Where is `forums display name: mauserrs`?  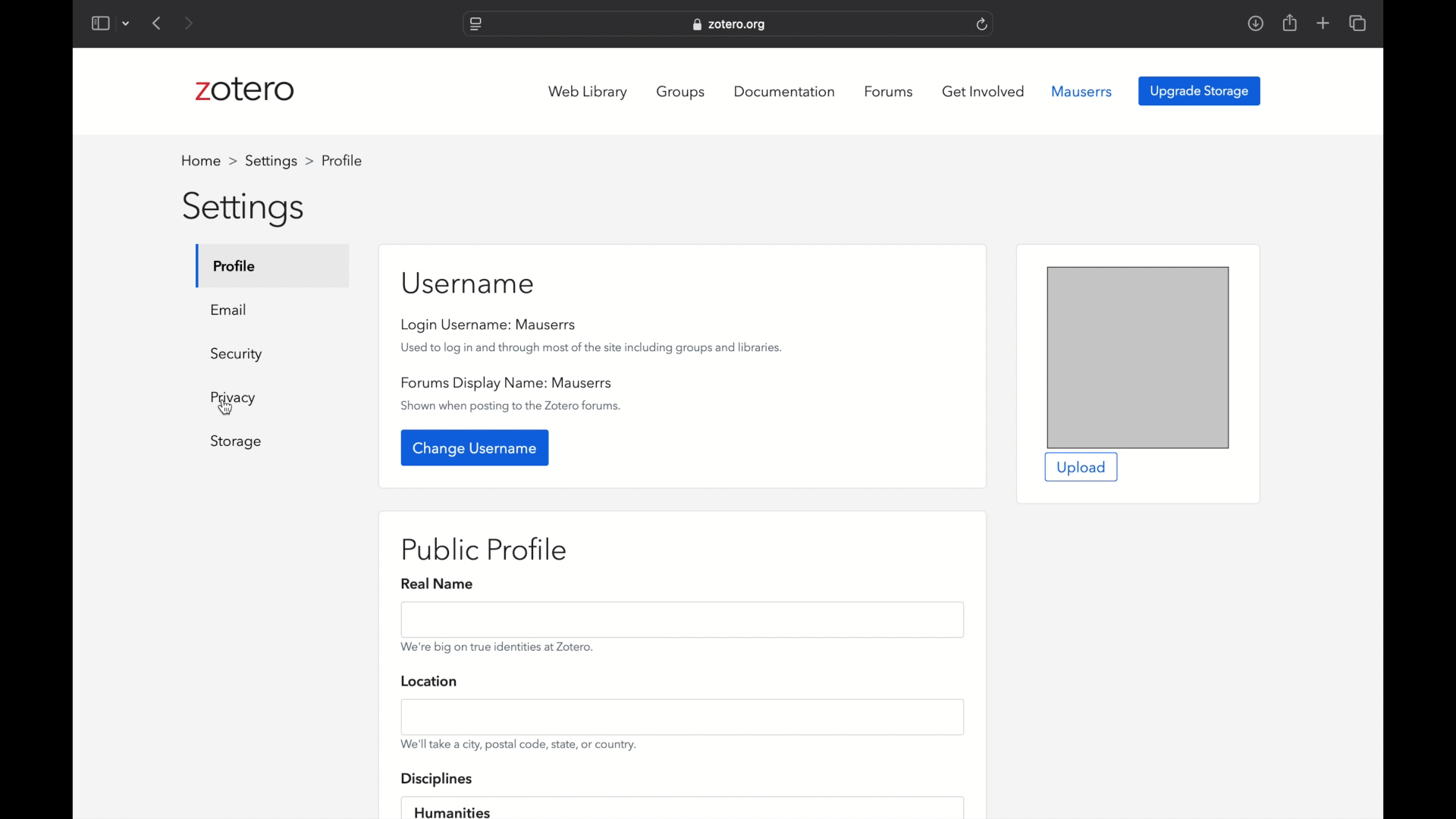 forums display name: mauserrs is located at coordinates (509, 384).